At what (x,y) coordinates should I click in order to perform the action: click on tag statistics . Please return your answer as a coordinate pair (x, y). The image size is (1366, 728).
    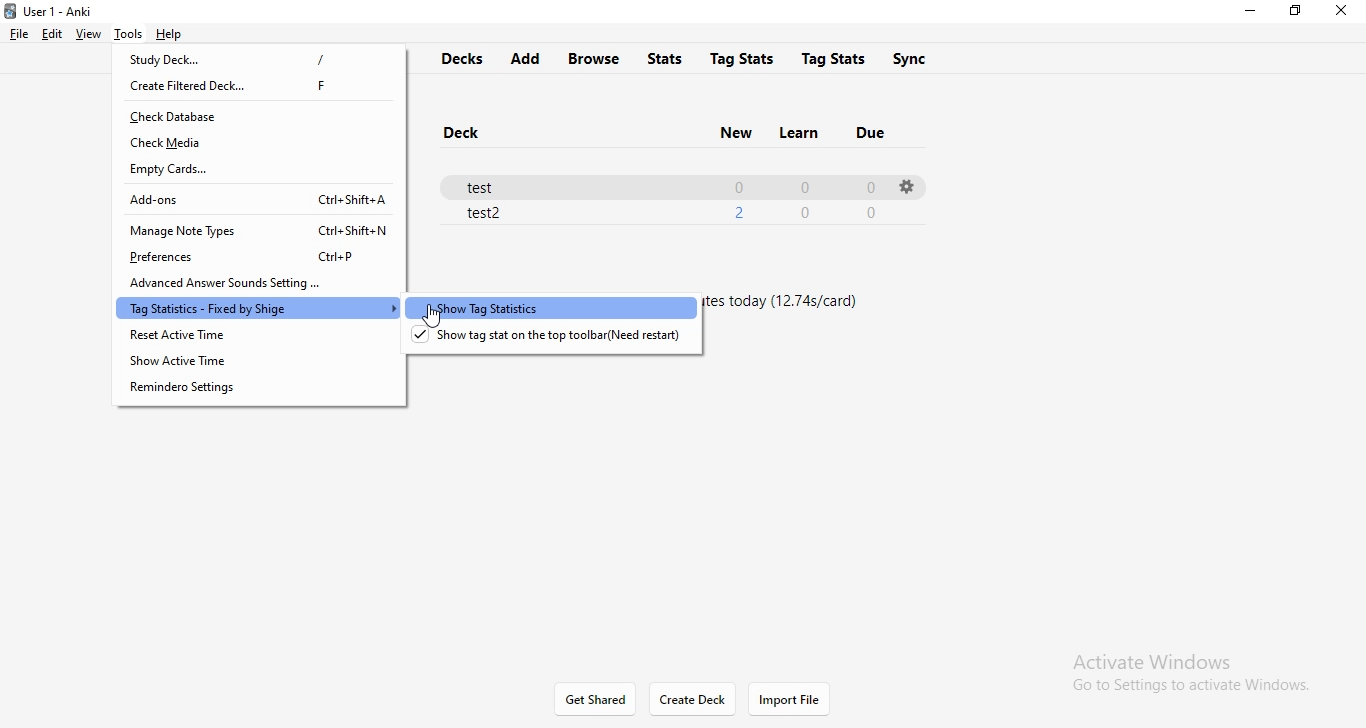
    Looking at the image, I should click on (255, 309).